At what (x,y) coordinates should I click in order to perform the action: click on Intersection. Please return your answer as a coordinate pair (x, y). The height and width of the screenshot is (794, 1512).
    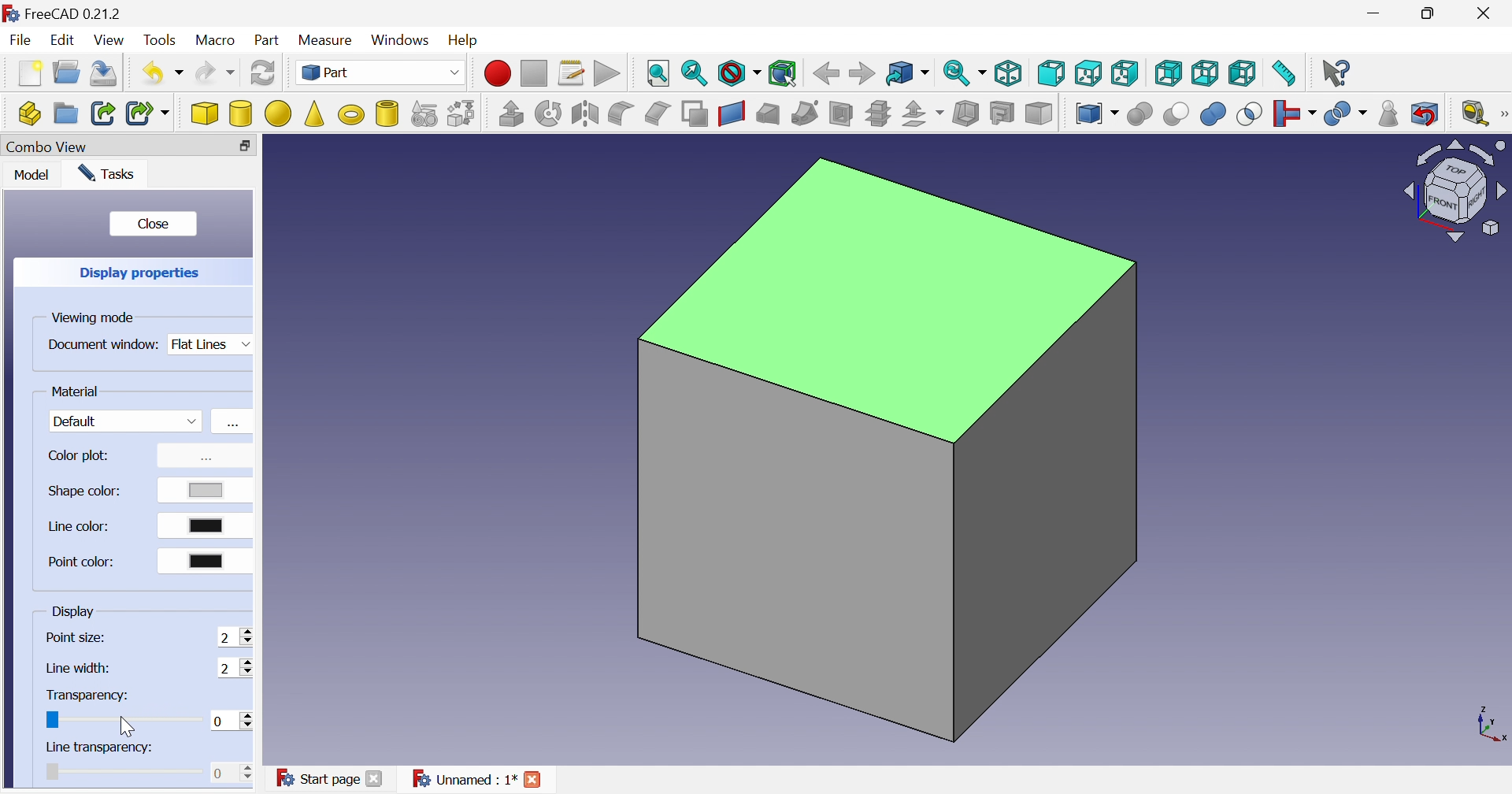
    Looking at the image, I should click on (1251, 113).